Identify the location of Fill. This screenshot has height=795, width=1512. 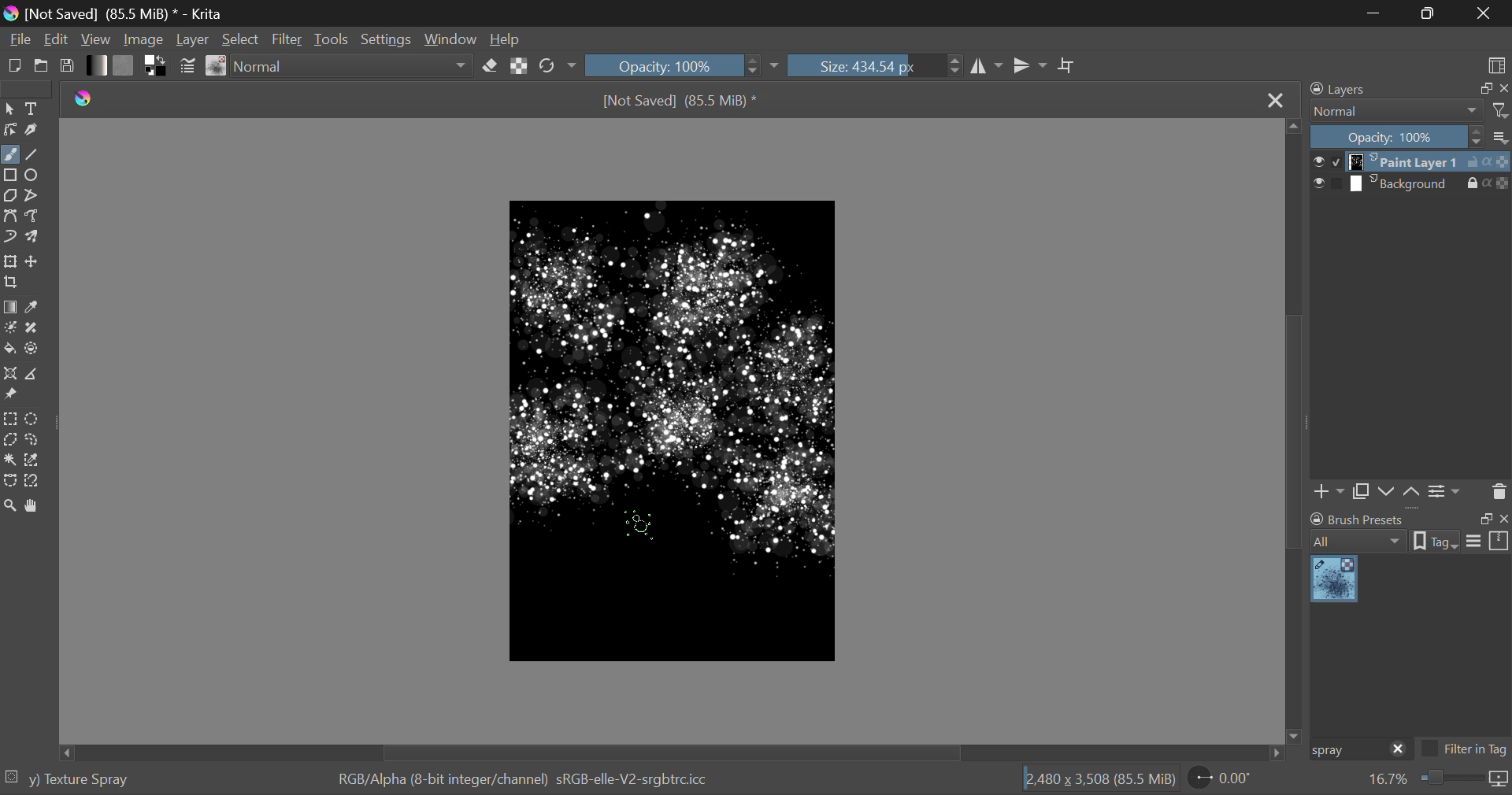
(9, 349).